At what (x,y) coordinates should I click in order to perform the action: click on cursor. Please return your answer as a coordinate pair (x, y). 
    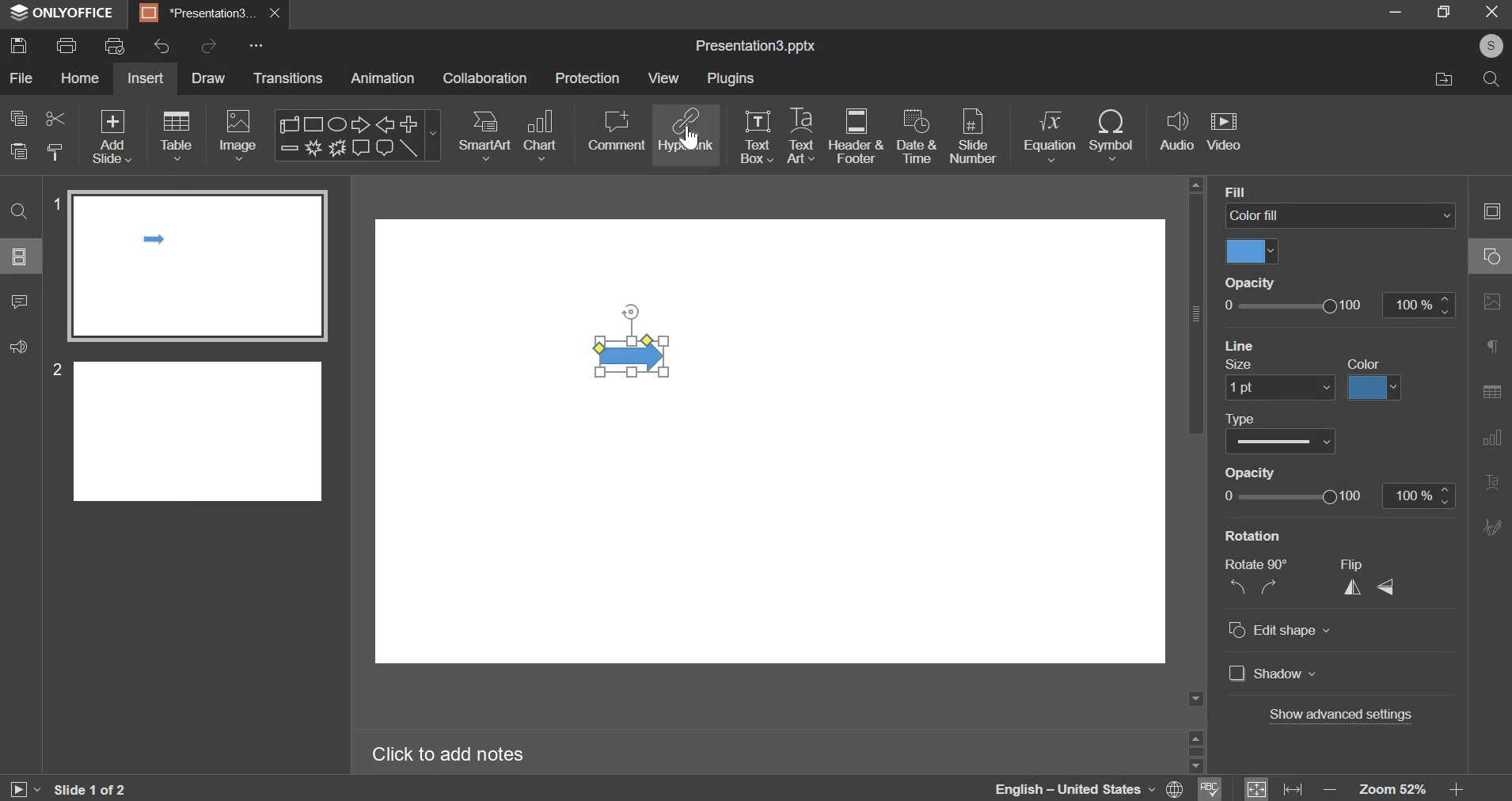
    Looking at the image, I should click on (690, 137).